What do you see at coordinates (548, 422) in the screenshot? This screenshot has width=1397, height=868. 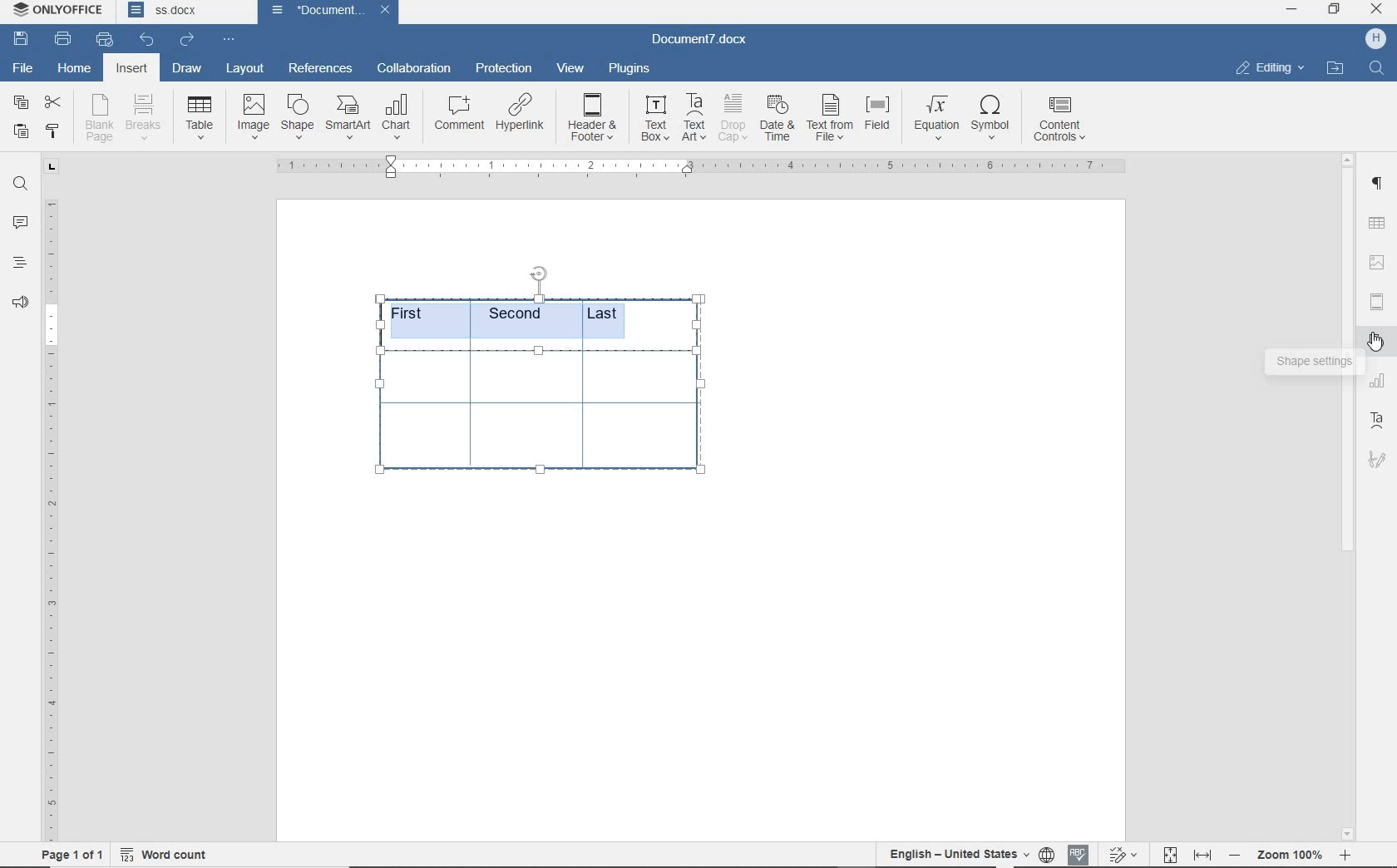 I see `table` at bounding box center [548, 422].